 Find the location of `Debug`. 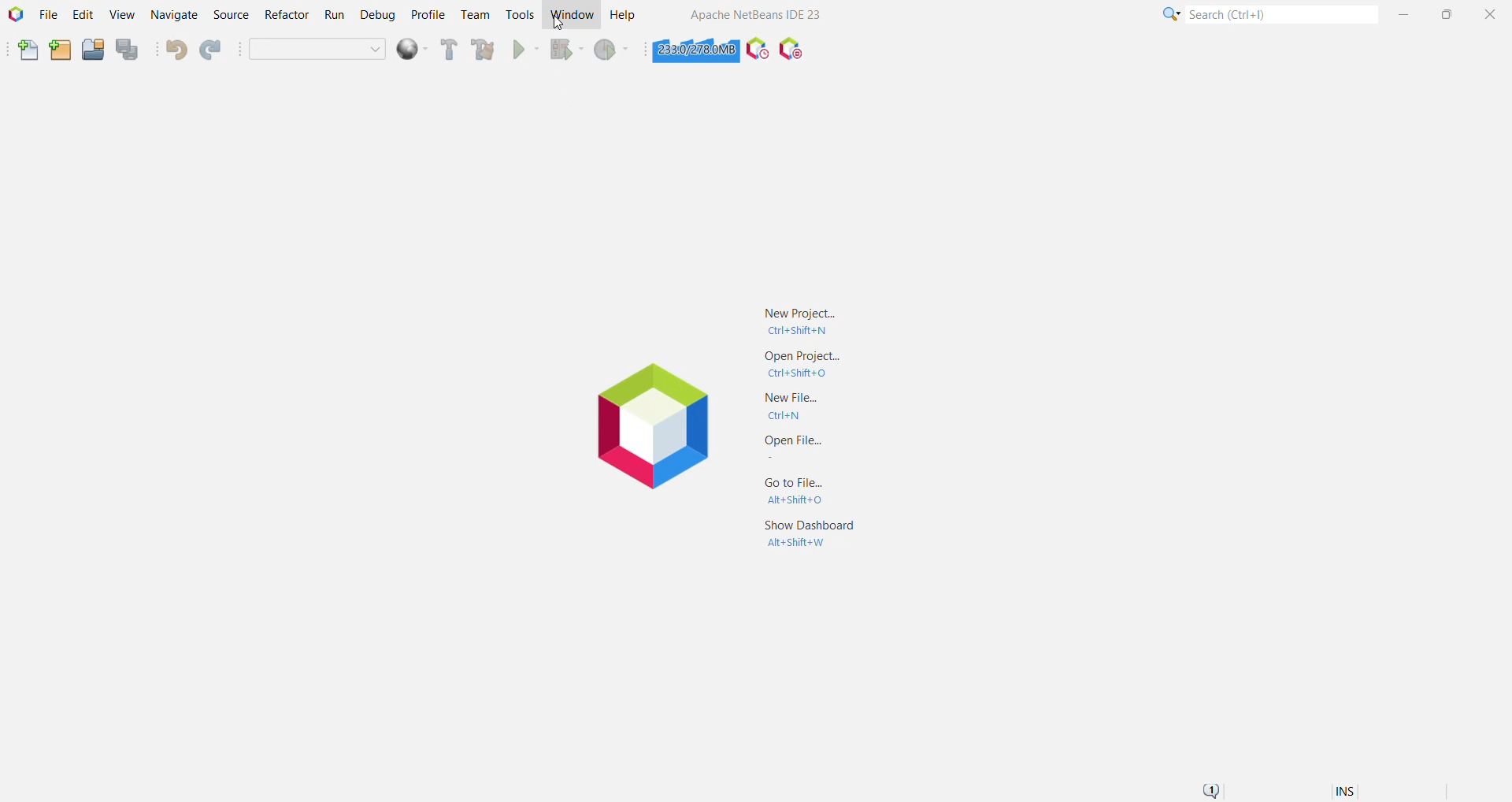

Debug is located at coordinates (377, 16).